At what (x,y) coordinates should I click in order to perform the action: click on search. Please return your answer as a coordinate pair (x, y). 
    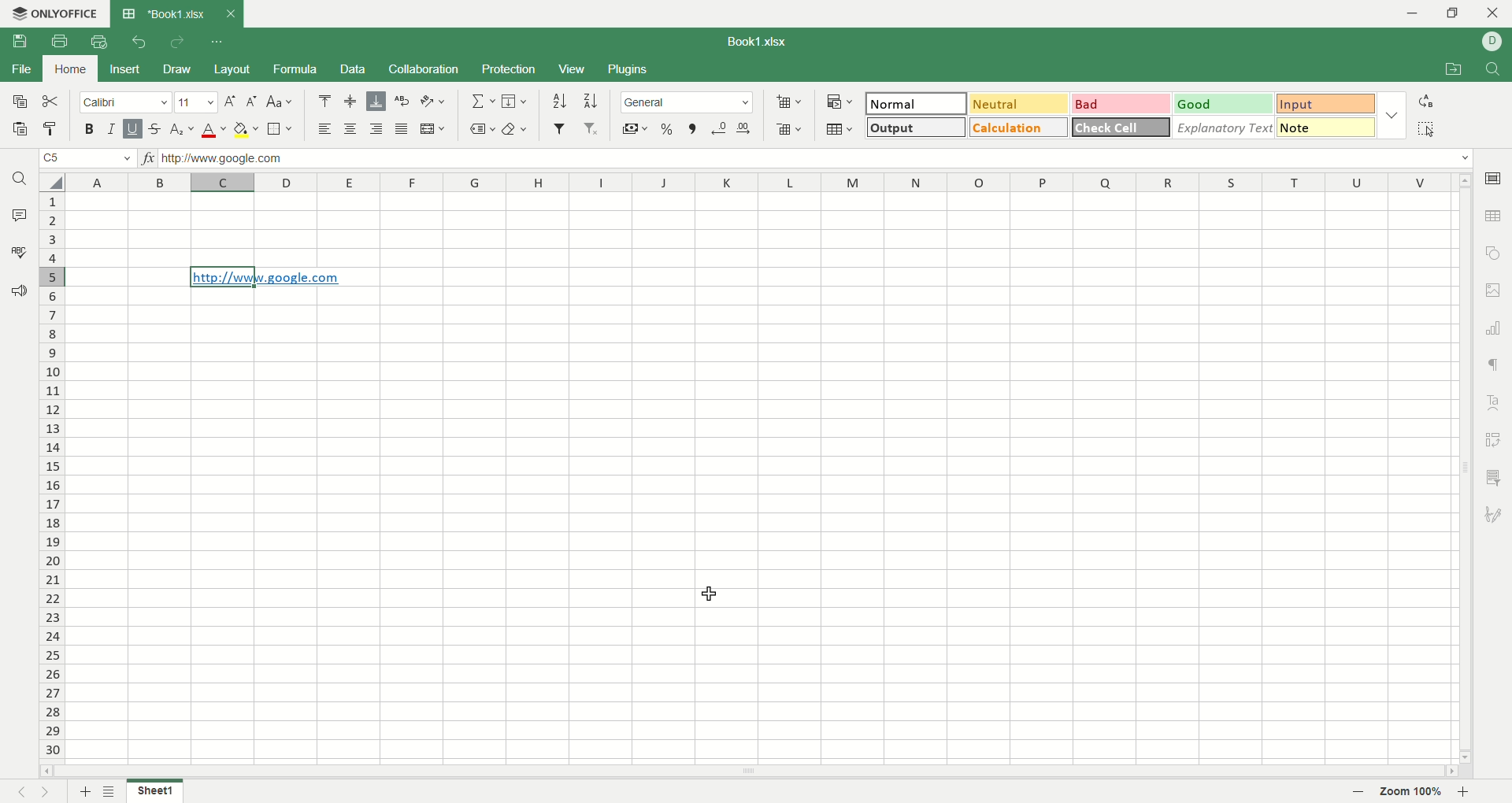
    Looking at the image, I should click on (21, 181).